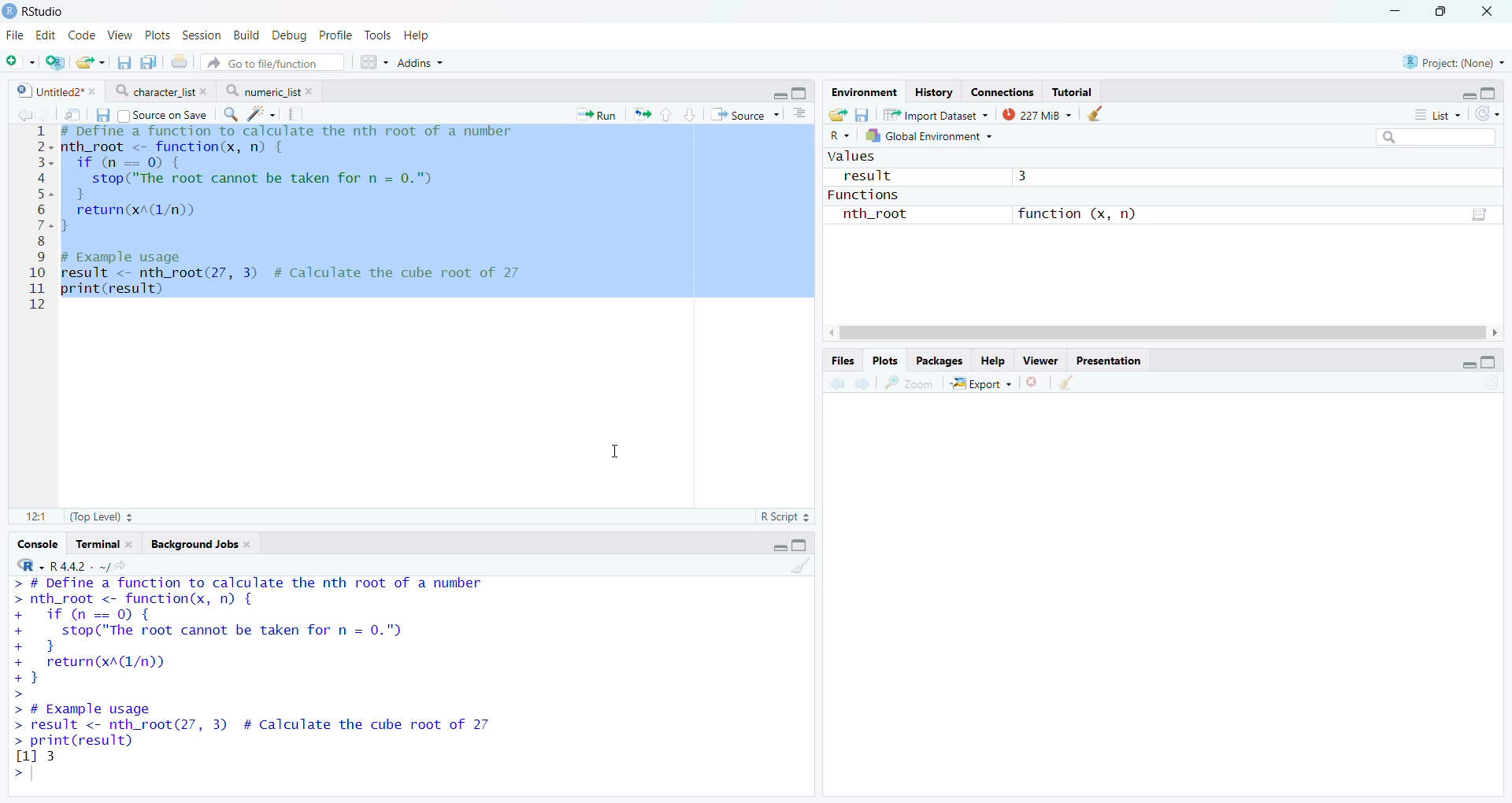 This screenshot has width=1512, height=803. What do you see at coordinates (885, 359) in the screenshot?
I see `Plots` at bounding box center [885, 359].